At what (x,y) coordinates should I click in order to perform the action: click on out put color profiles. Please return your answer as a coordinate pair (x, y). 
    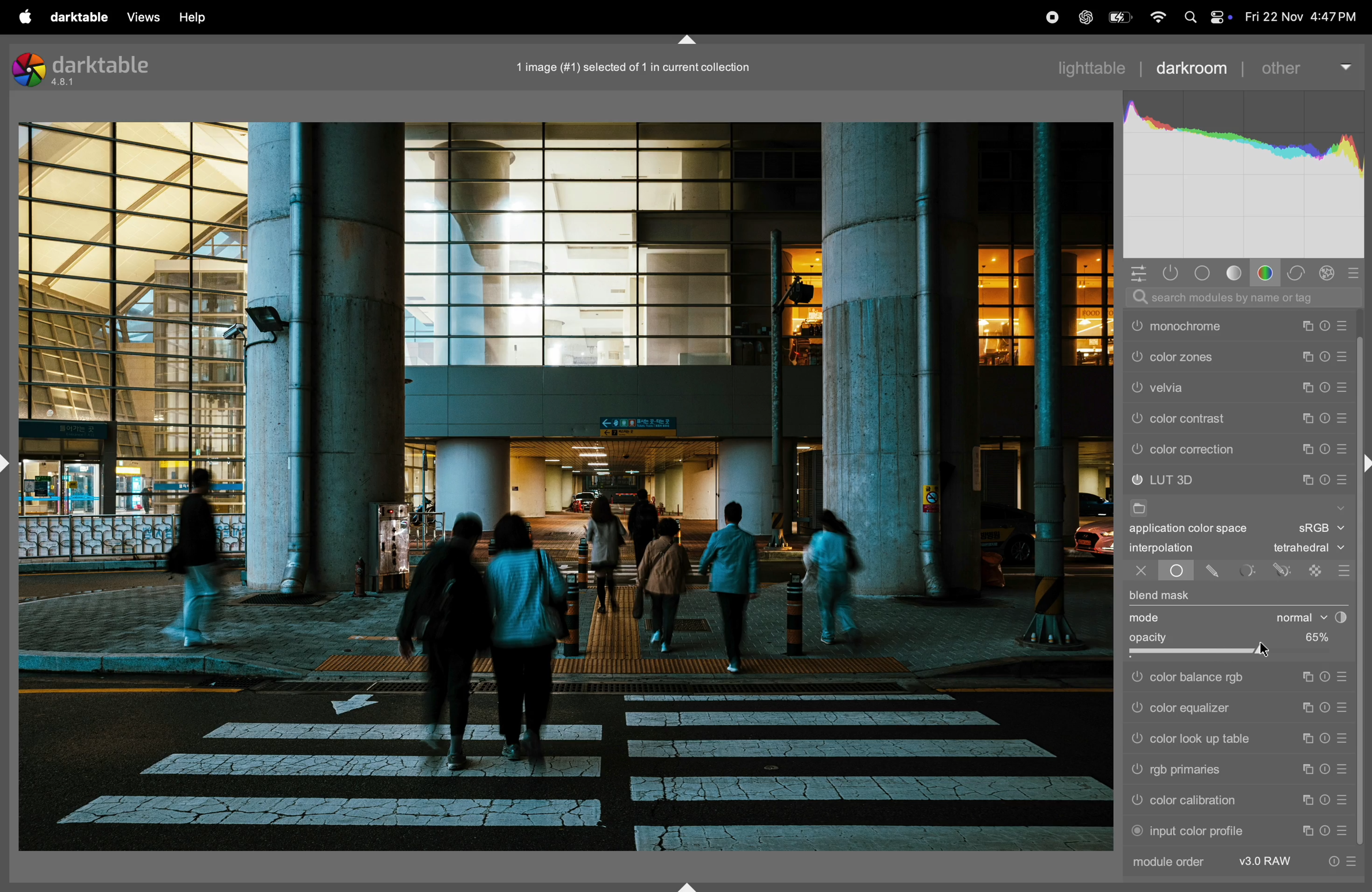
    Looking at the image, I should click on (1209, 325).